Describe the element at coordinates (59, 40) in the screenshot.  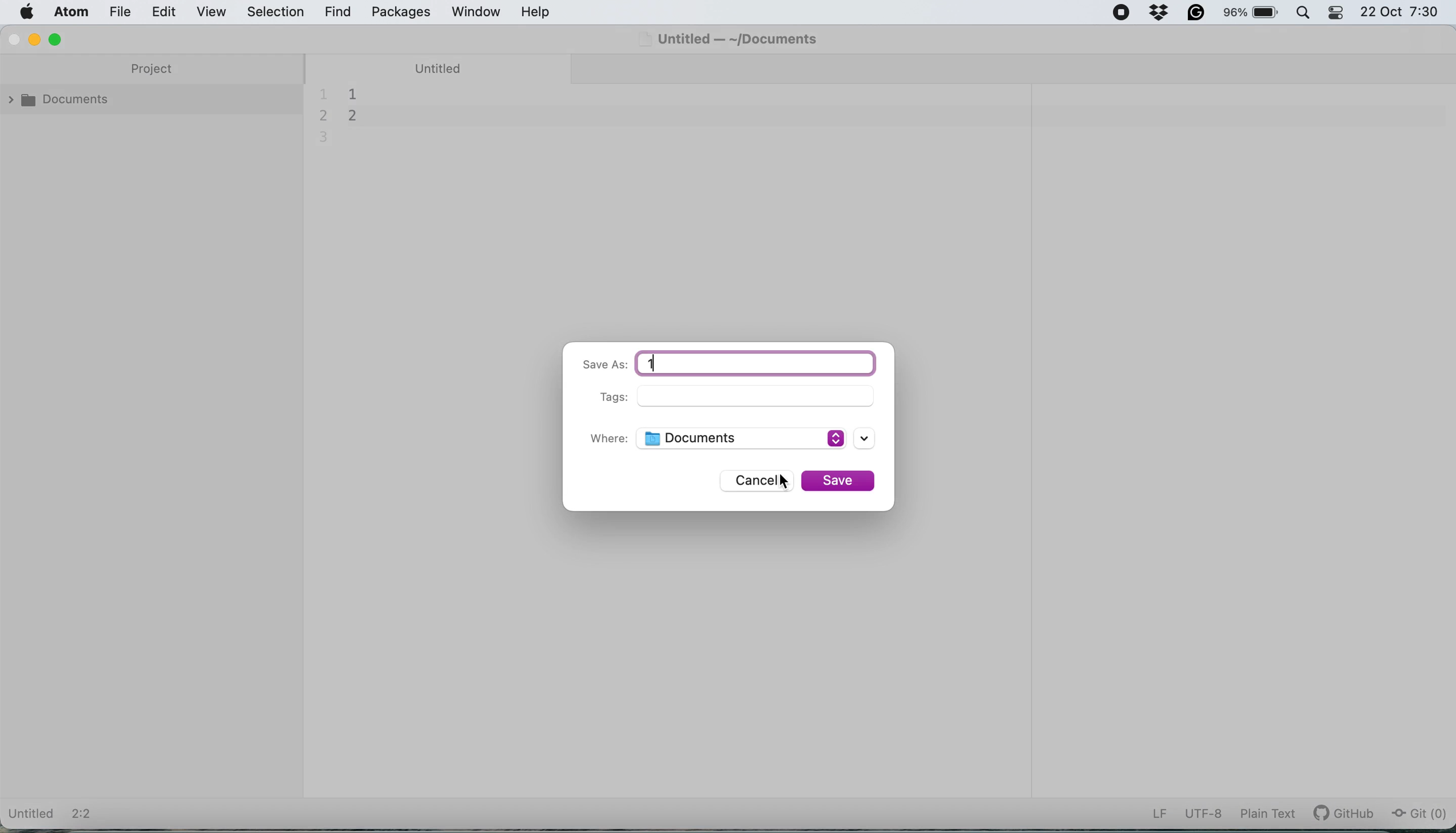
I see `maximise` at that location.